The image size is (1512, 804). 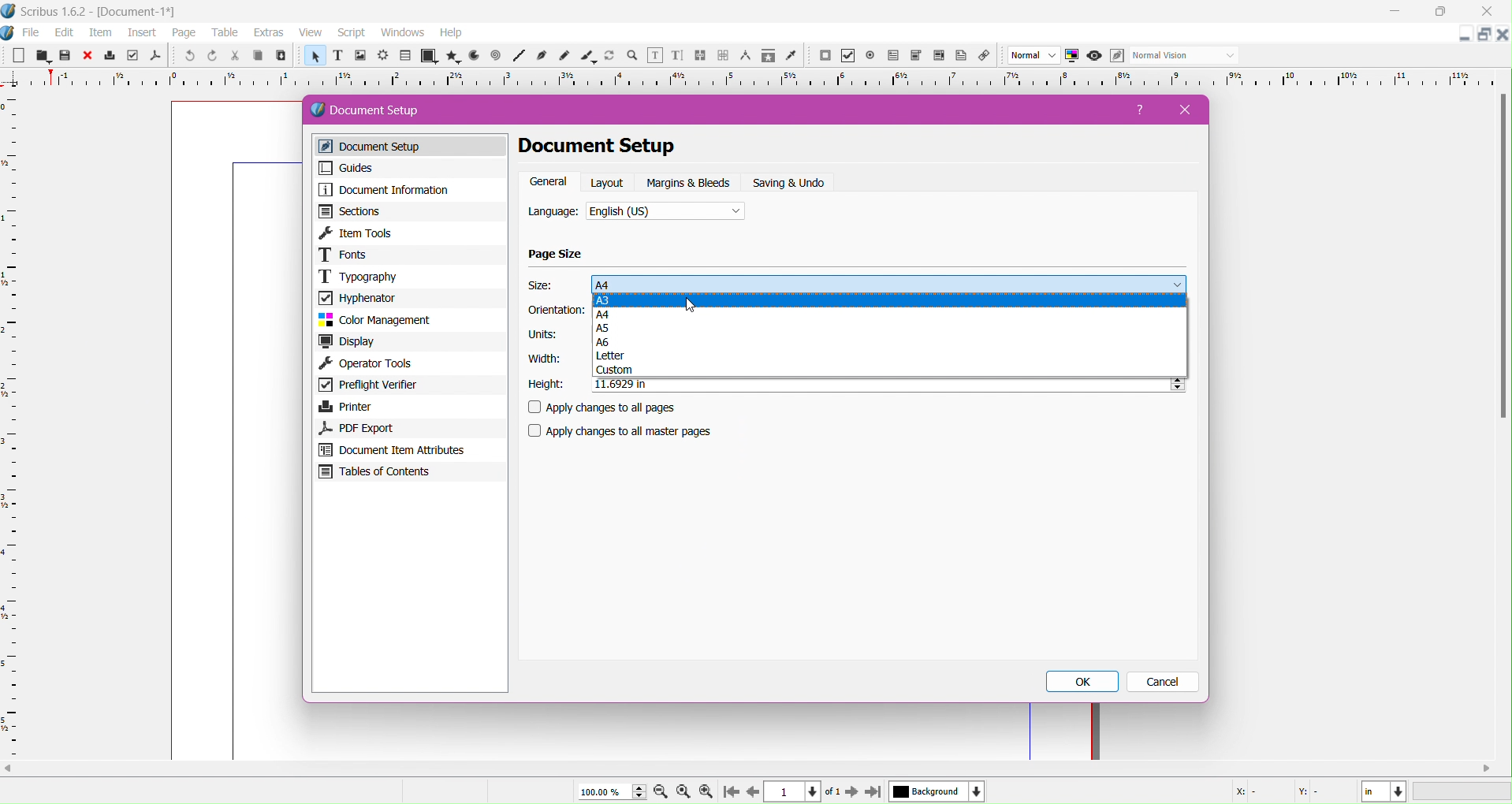 I want to click on measurements, so click(x=745, y=57).